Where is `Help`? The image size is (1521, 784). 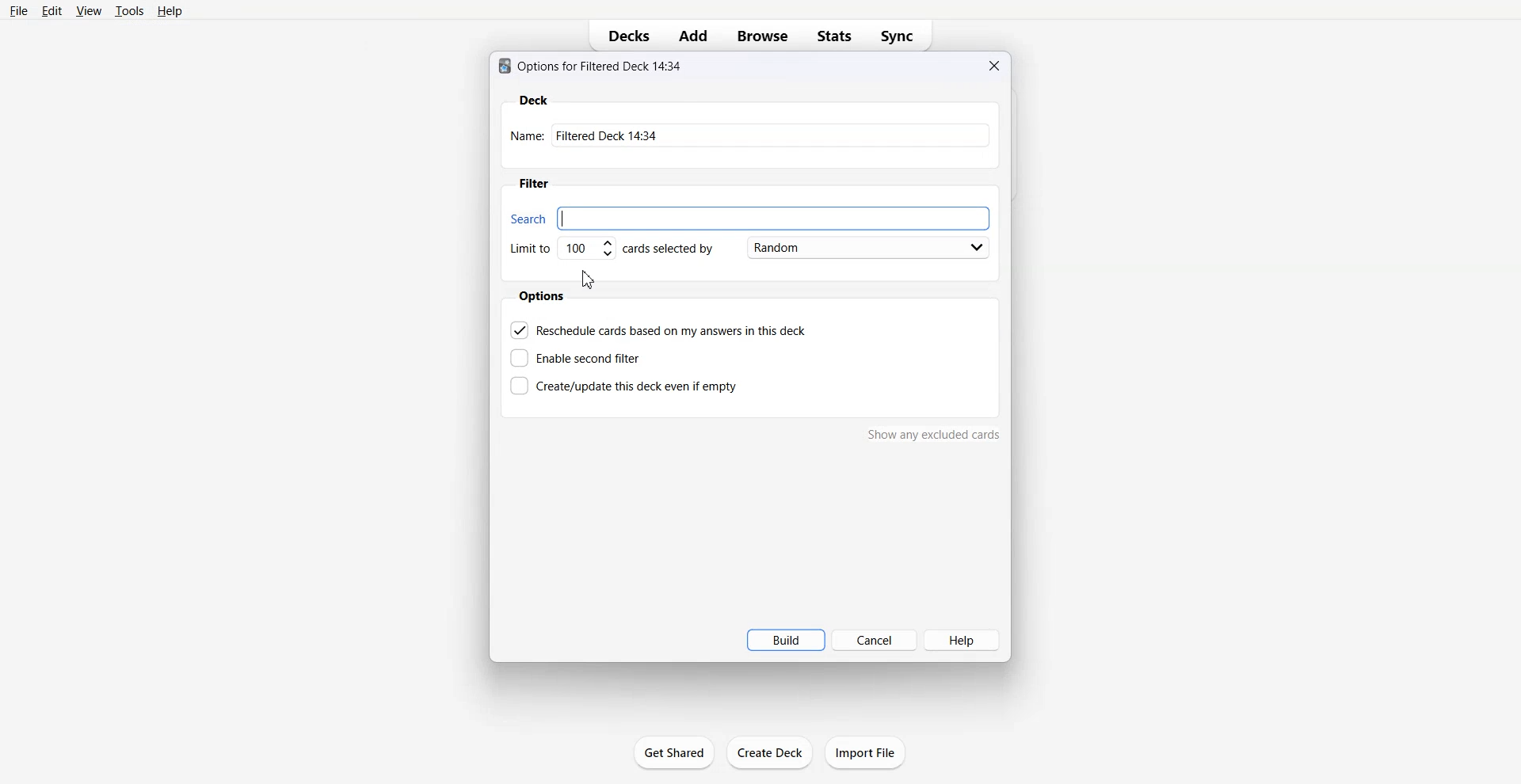 Help is located at coordinates (169, 10).